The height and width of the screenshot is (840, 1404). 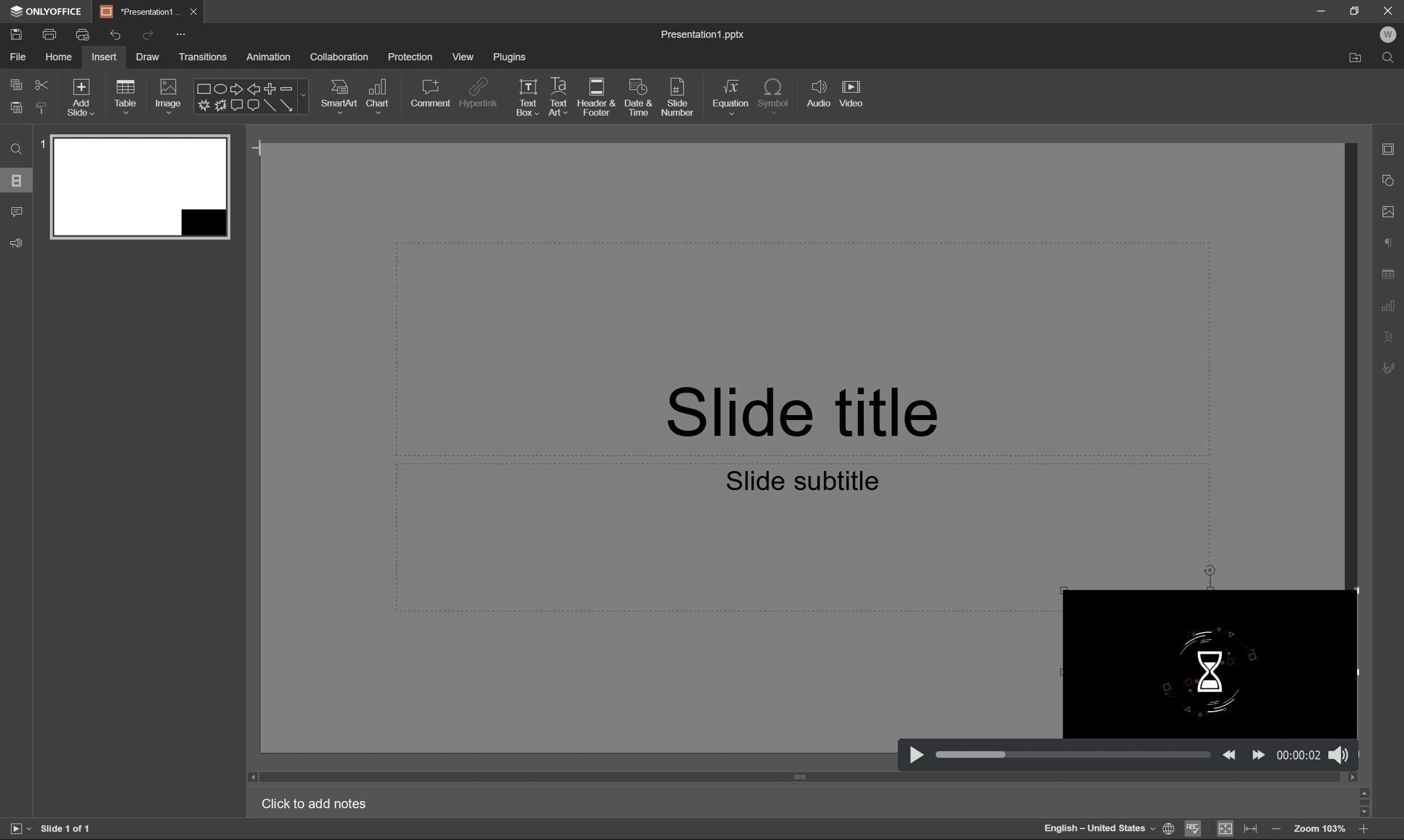 What do you see at coordinates (1367, 802) in the screenshot?
I see `scroll bar` at bounding box center [1367, 802].